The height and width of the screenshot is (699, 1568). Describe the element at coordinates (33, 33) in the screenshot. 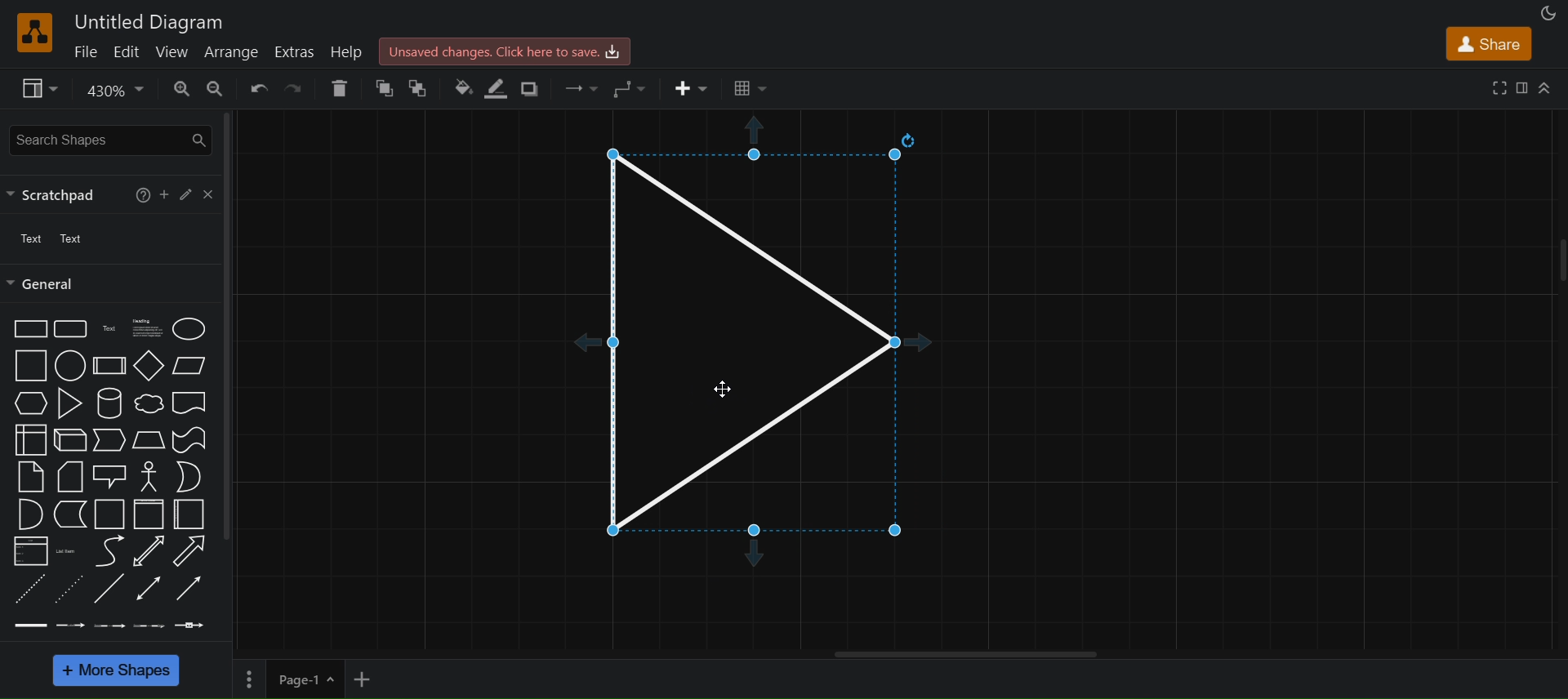

I see `logo` at that location.